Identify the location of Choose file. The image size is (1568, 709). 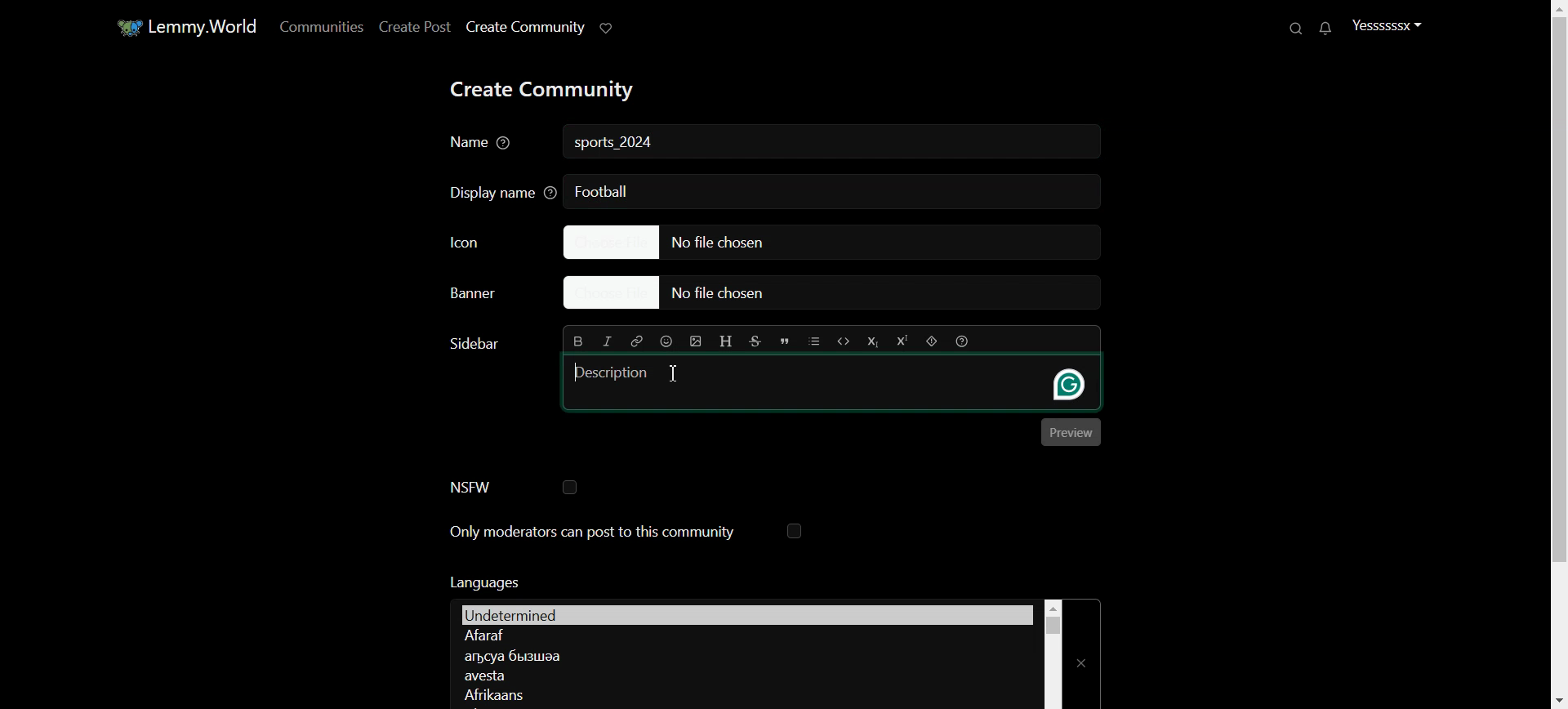
(840, 294).